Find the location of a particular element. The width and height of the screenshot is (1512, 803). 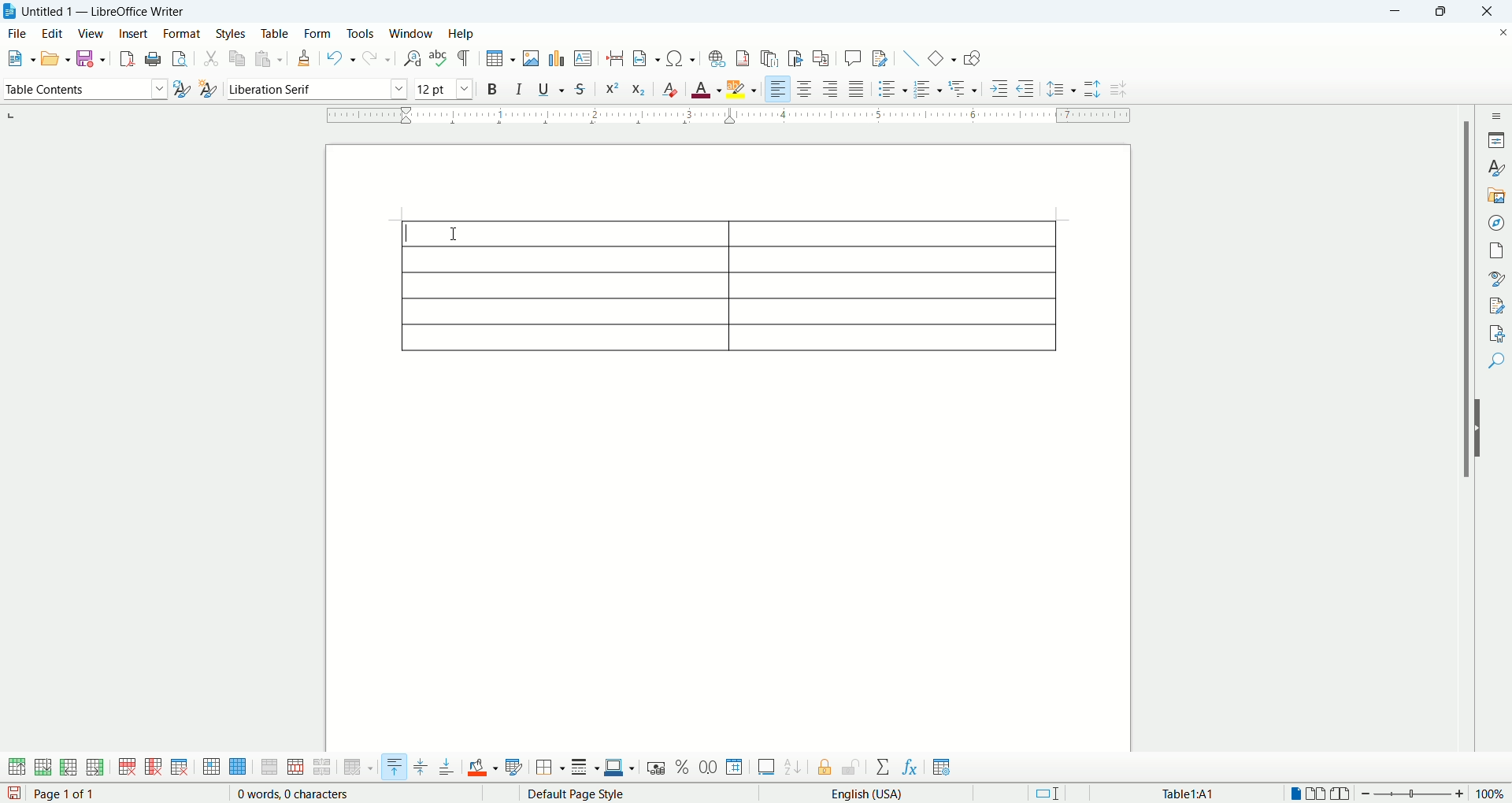

unordered list is located at coordinates (891, 88).